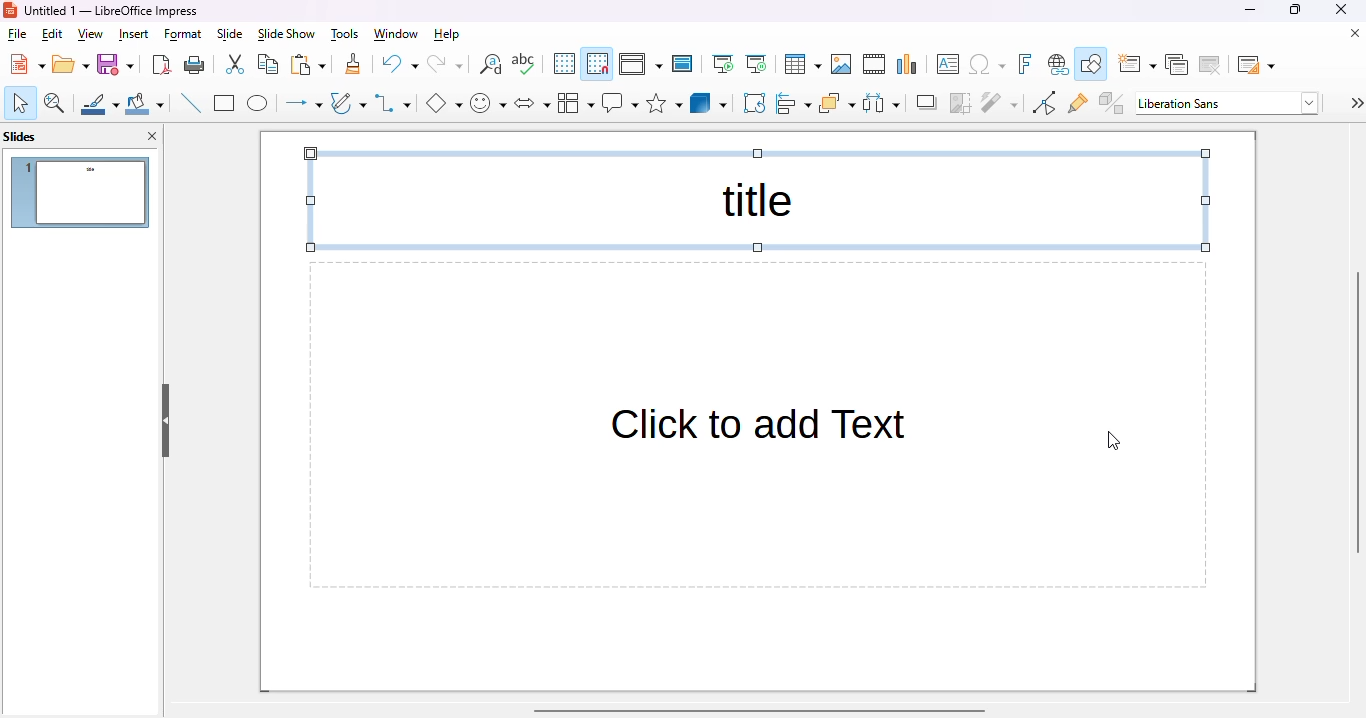 This screenshot has height=718, width=1366. Describe the element at coordinates (115, 64) in the screenshot. I see `save` at that location.